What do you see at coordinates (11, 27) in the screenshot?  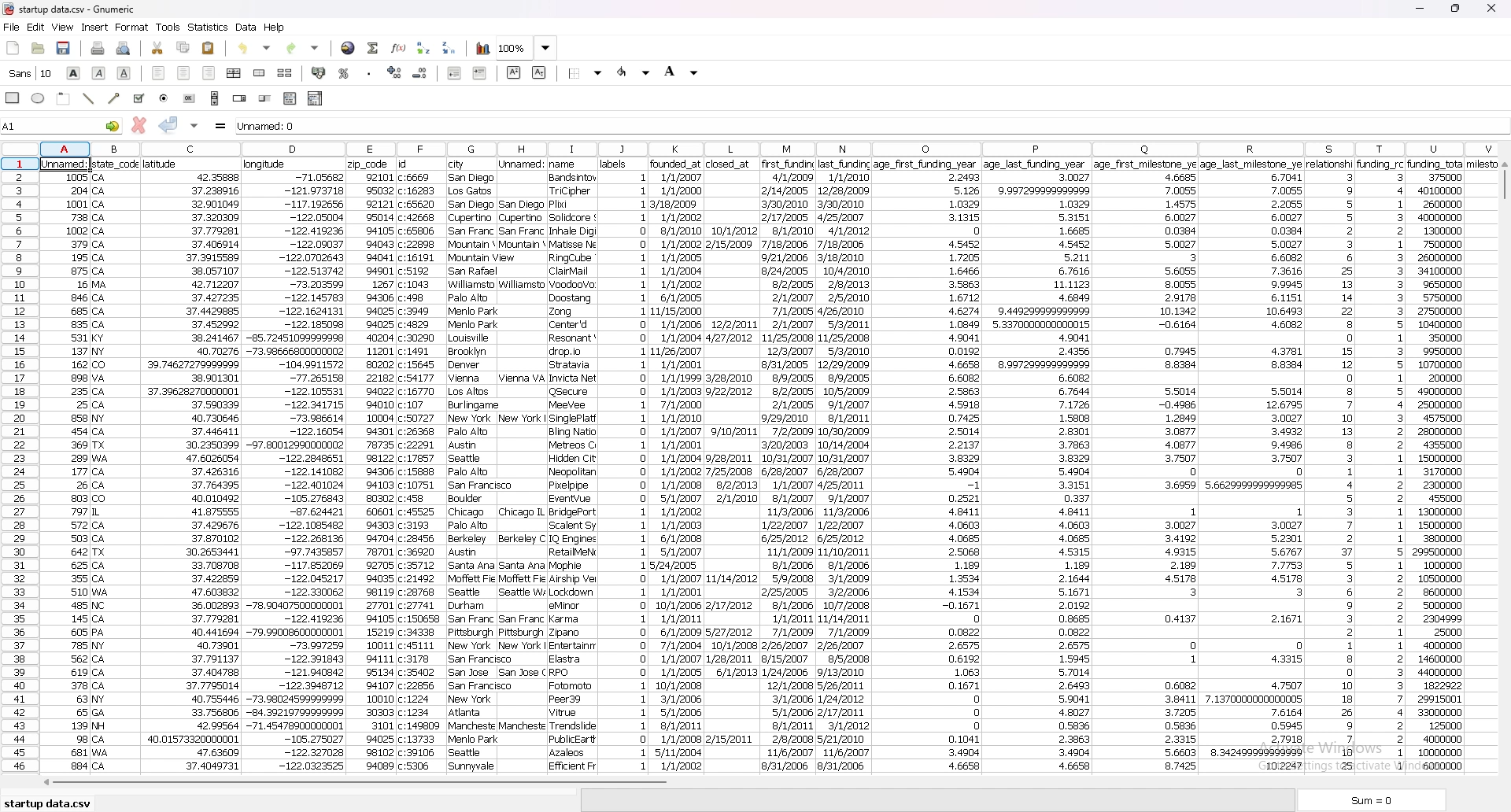 I see `file` at bounding box center [11, 27].